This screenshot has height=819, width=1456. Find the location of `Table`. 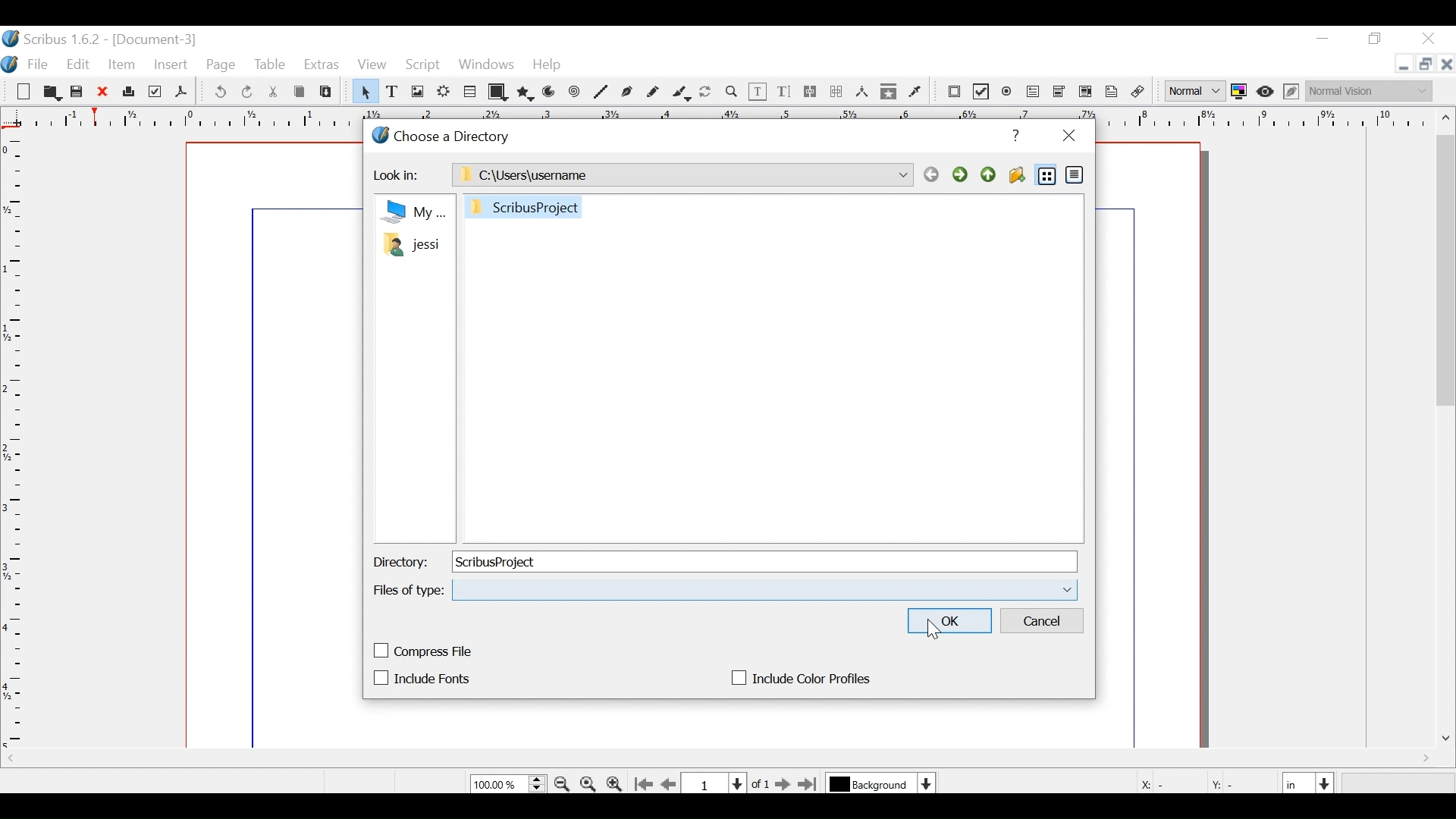

Table is located at coordinates (471, 91).